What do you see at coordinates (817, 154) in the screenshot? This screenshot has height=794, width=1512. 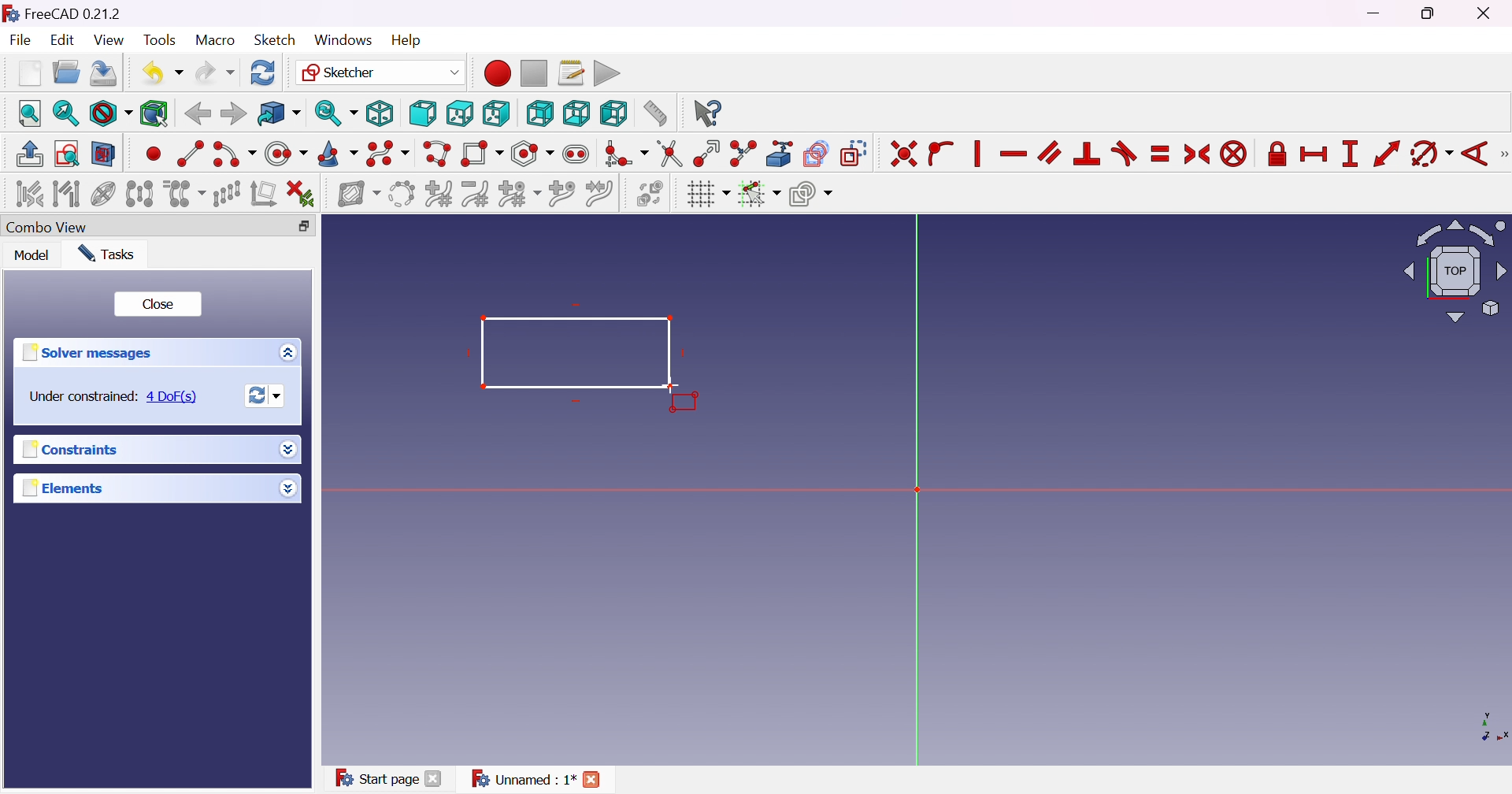 I see `Create carbon copy` at bounding box center [817, 154].